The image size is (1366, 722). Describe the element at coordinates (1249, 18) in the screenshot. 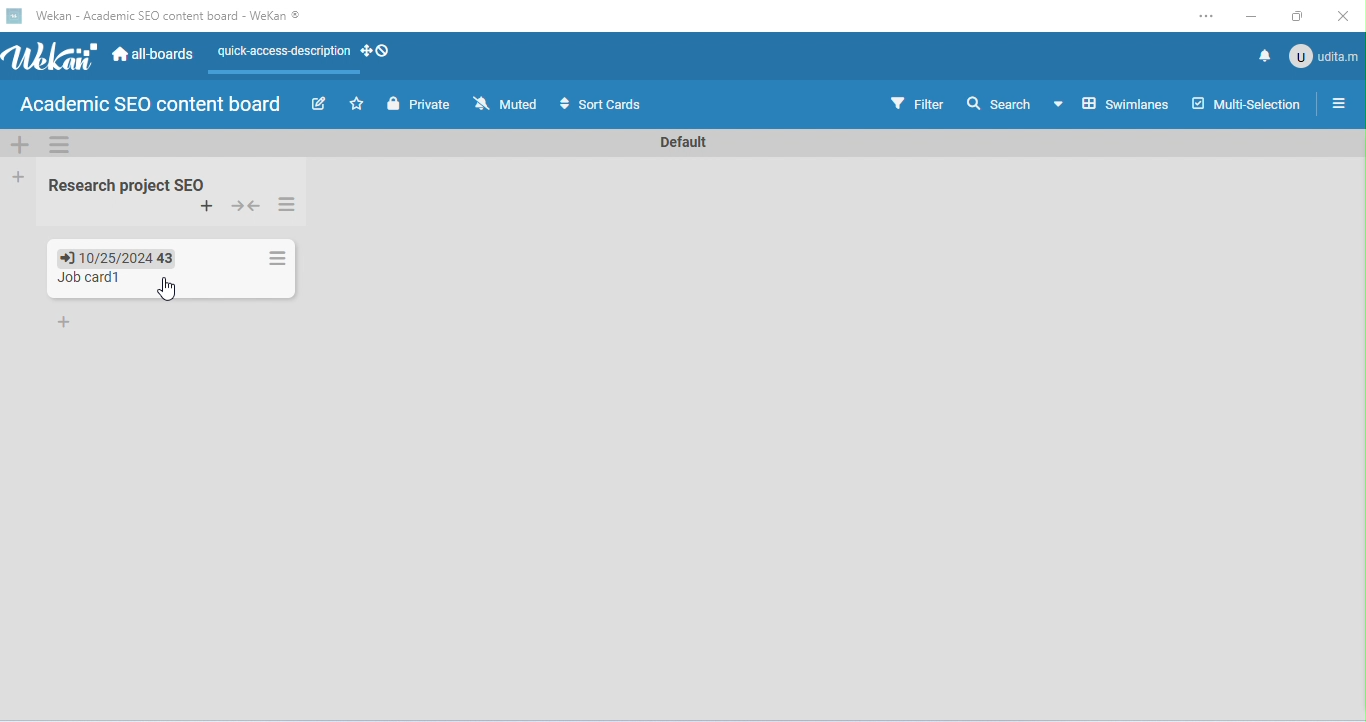

I see `minimize` at that location.